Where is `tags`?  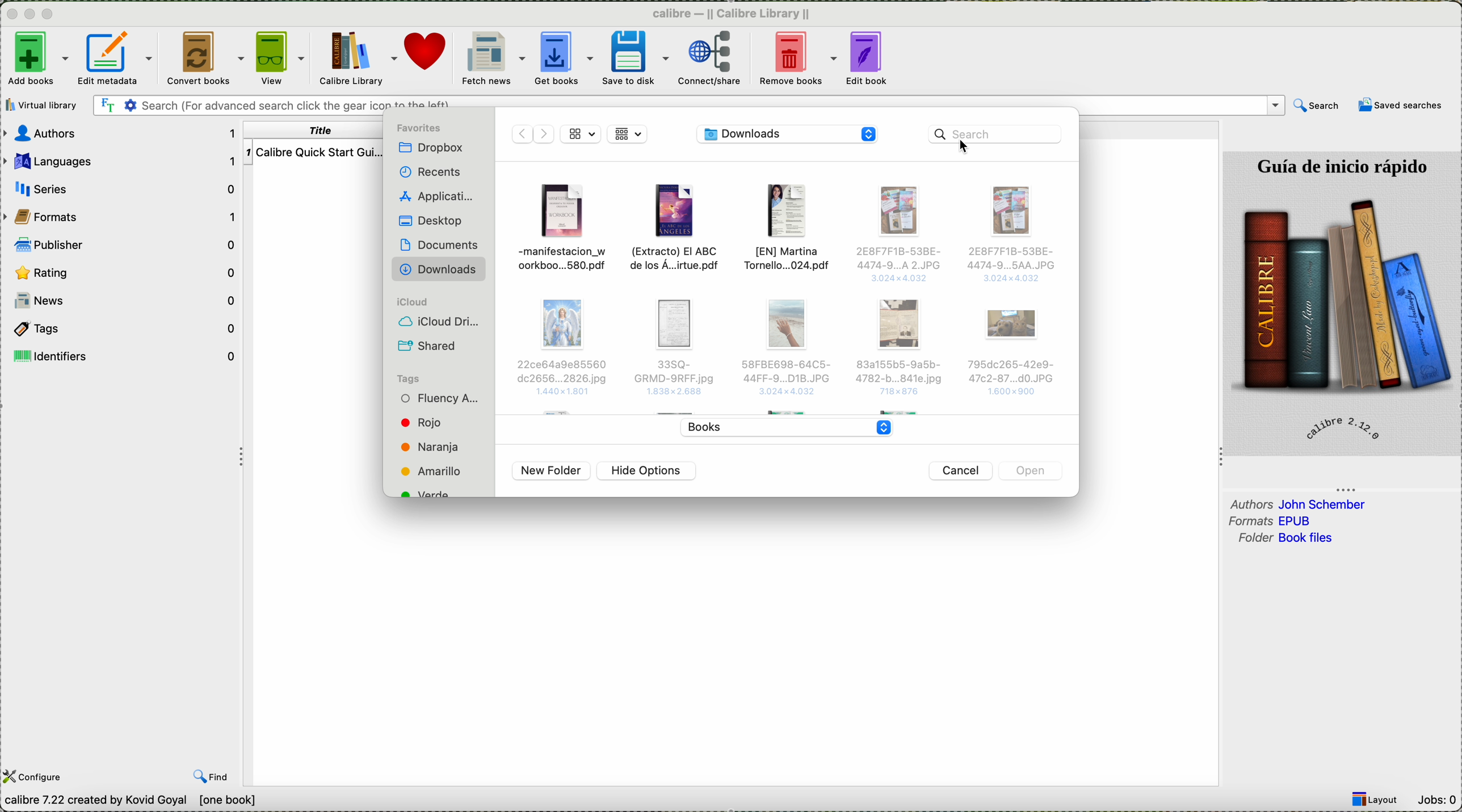
tags is located at coordinates (409, 377).